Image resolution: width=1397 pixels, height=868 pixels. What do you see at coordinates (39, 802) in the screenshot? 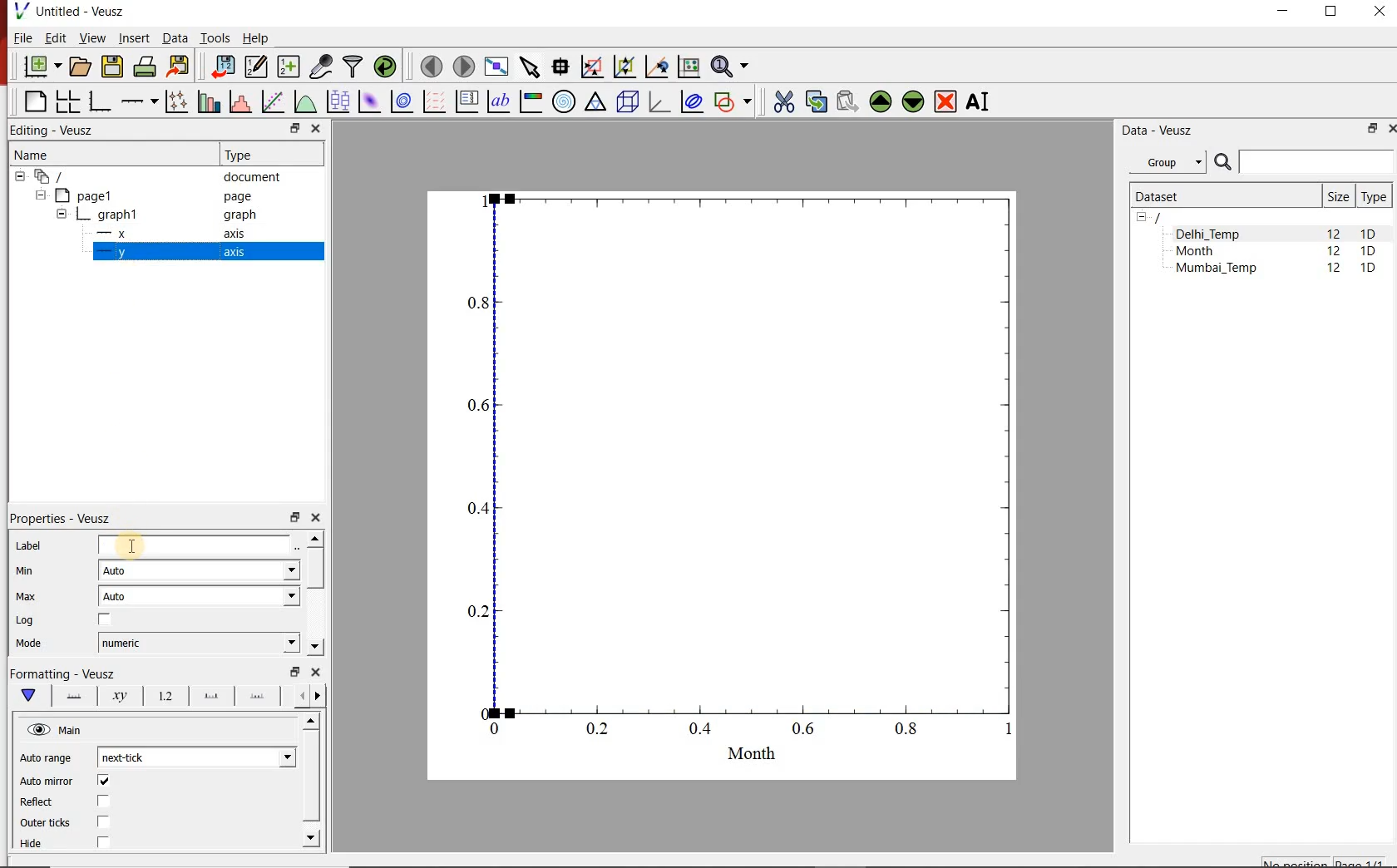
I see `Reflect` at bounding box center [39, 802].